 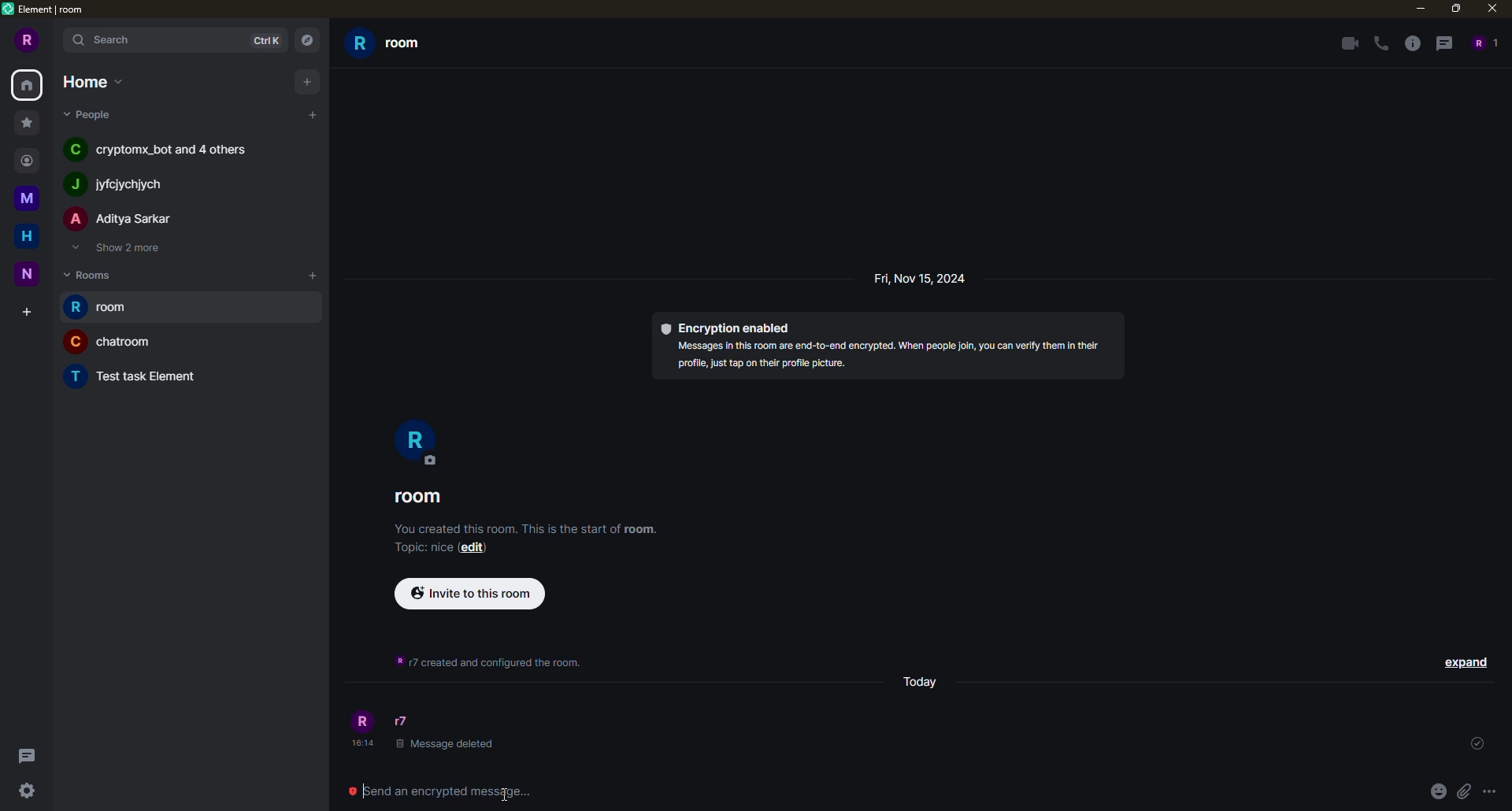 I want to click on Send an encrypted message, so click(x=471, y=791).